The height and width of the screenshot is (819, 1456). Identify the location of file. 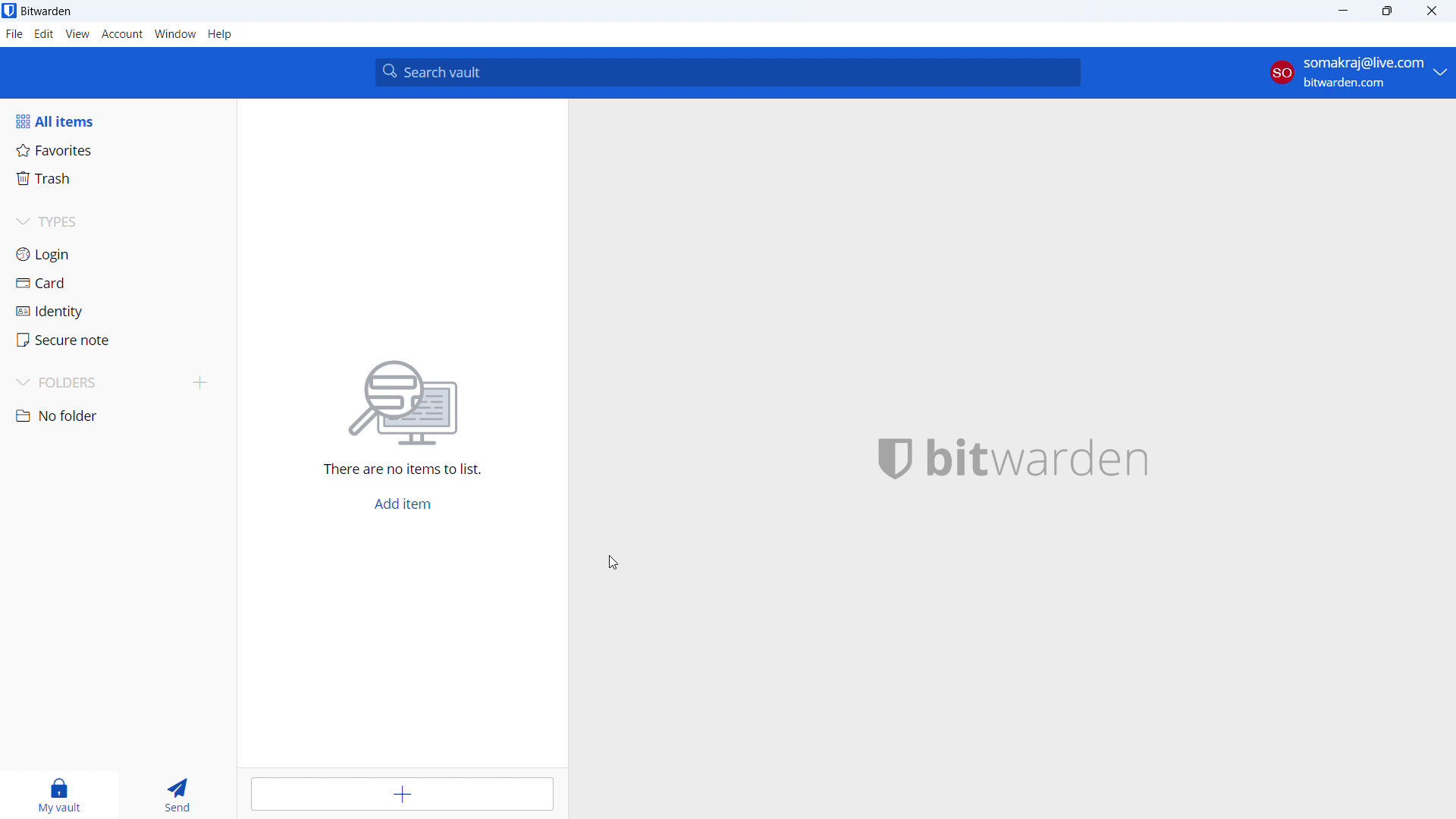
(14, 35).